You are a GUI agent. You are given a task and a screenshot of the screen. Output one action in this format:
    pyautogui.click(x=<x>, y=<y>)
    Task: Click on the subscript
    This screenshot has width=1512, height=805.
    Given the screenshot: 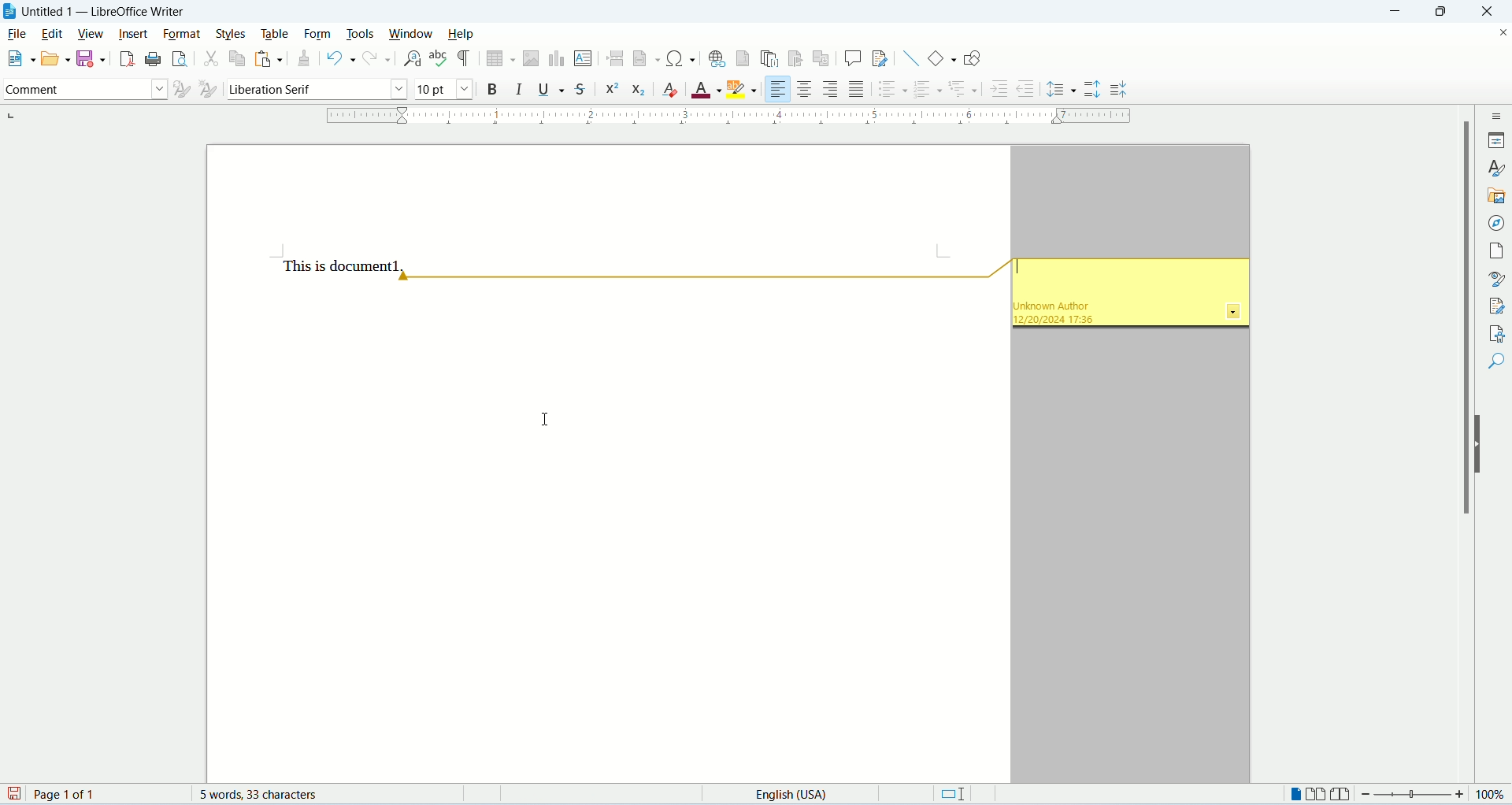 What is the action you would take?
    pyautogui.click(x=639, y=92)
    